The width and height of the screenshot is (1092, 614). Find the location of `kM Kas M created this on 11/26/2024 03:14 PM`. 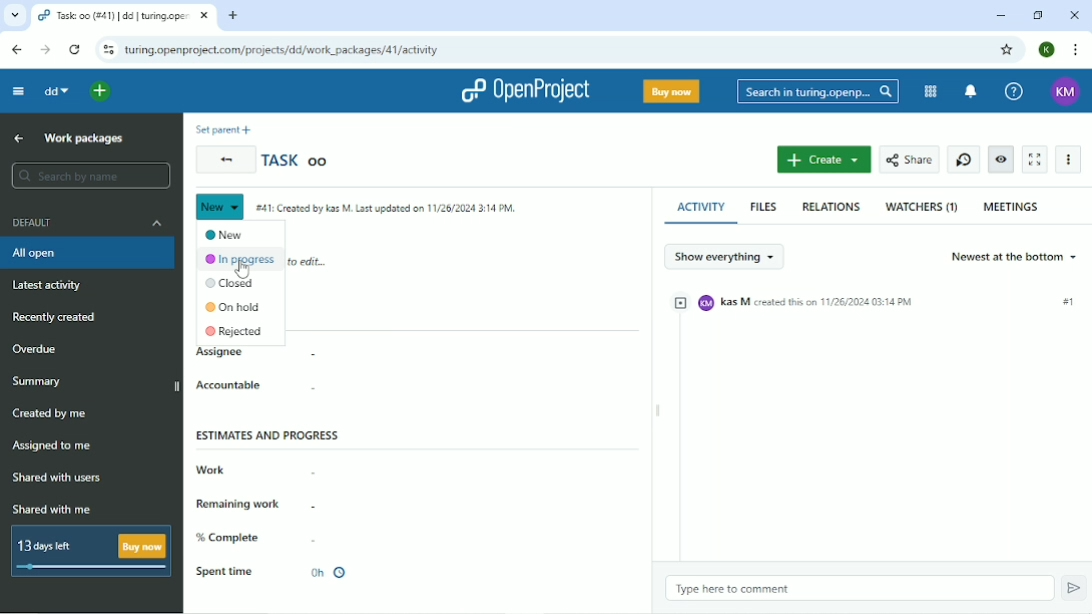

kM Kas M created this on 11/26/2024 03:14 PM is located at coordinates (878, 302).